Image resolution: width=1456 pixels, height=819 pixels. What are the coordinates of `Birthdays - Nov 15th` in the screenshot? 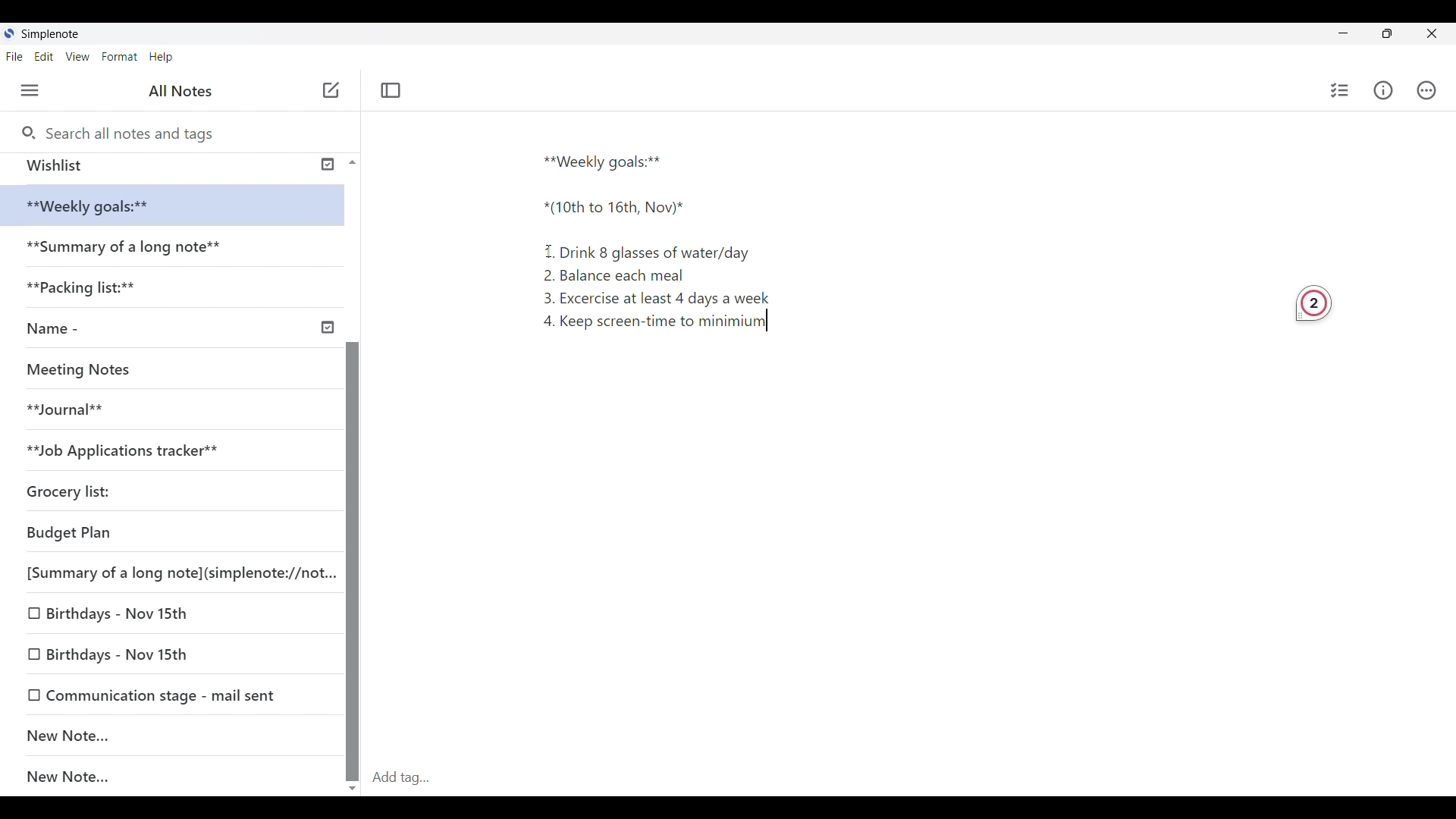 It's located at (165, 651).